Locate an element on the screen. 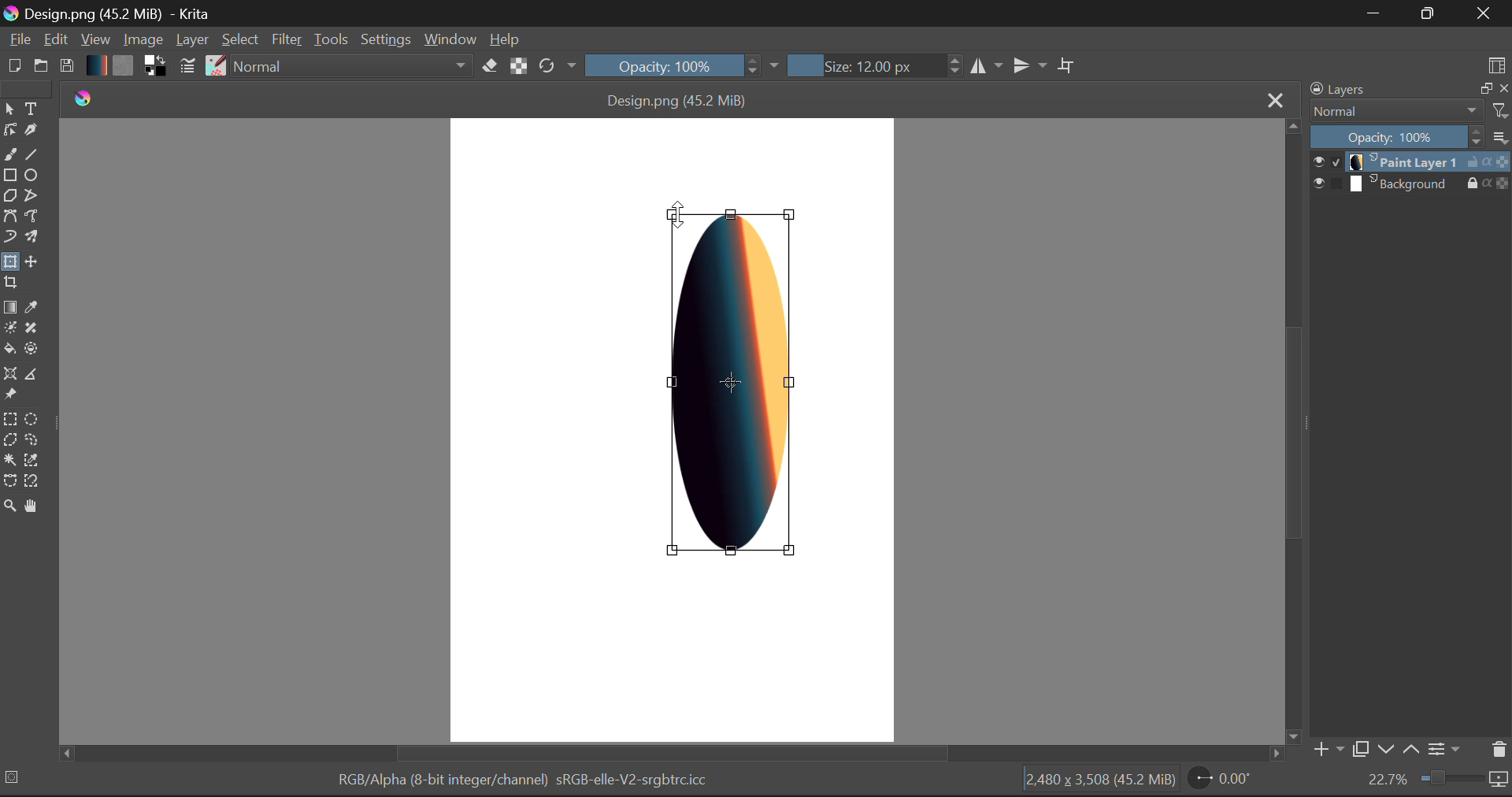  Circular Selection is located at coordinates (30, 418).